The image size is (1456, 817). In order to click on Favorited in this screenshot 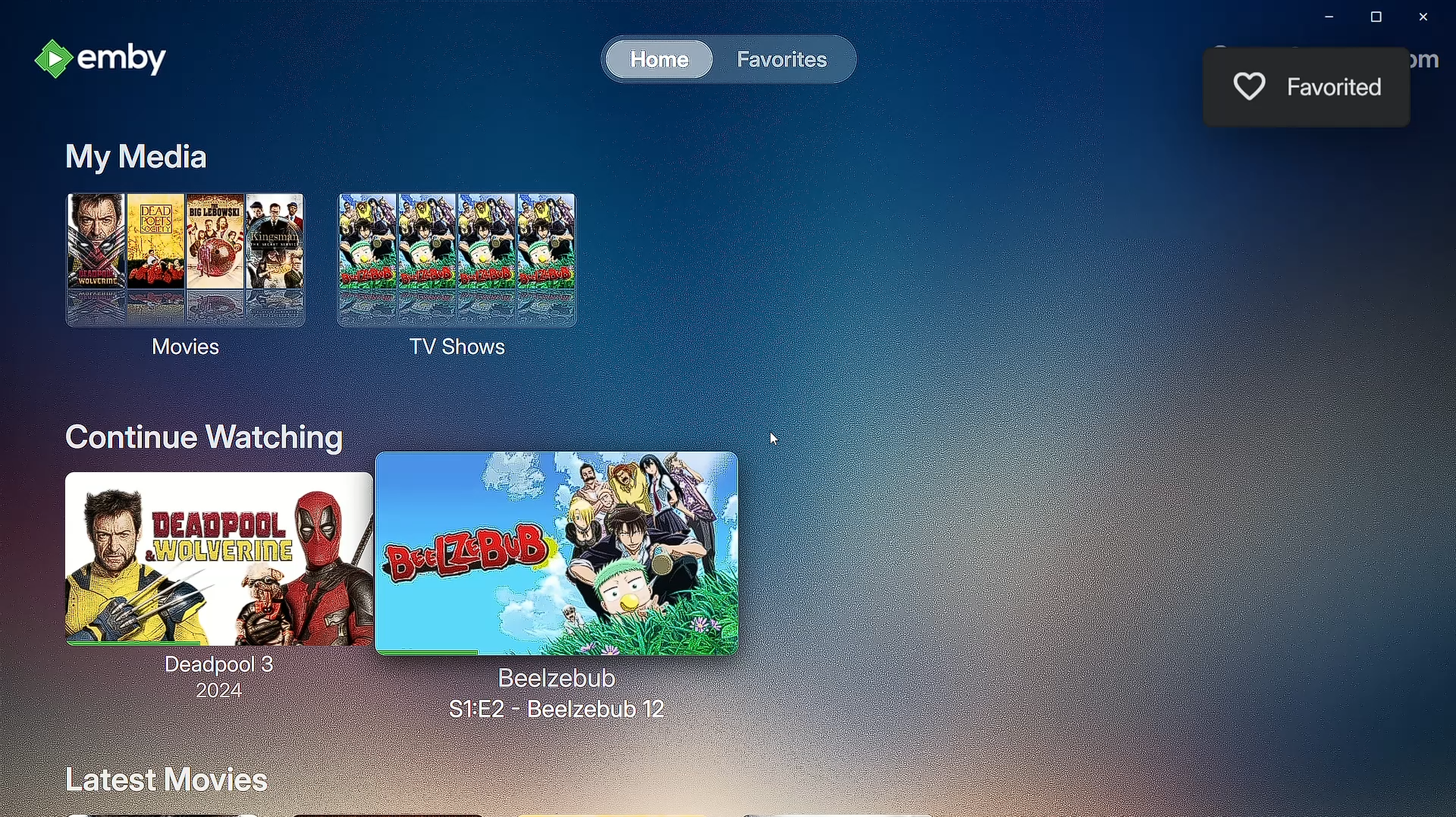, I will do `click(1338, 87)`.